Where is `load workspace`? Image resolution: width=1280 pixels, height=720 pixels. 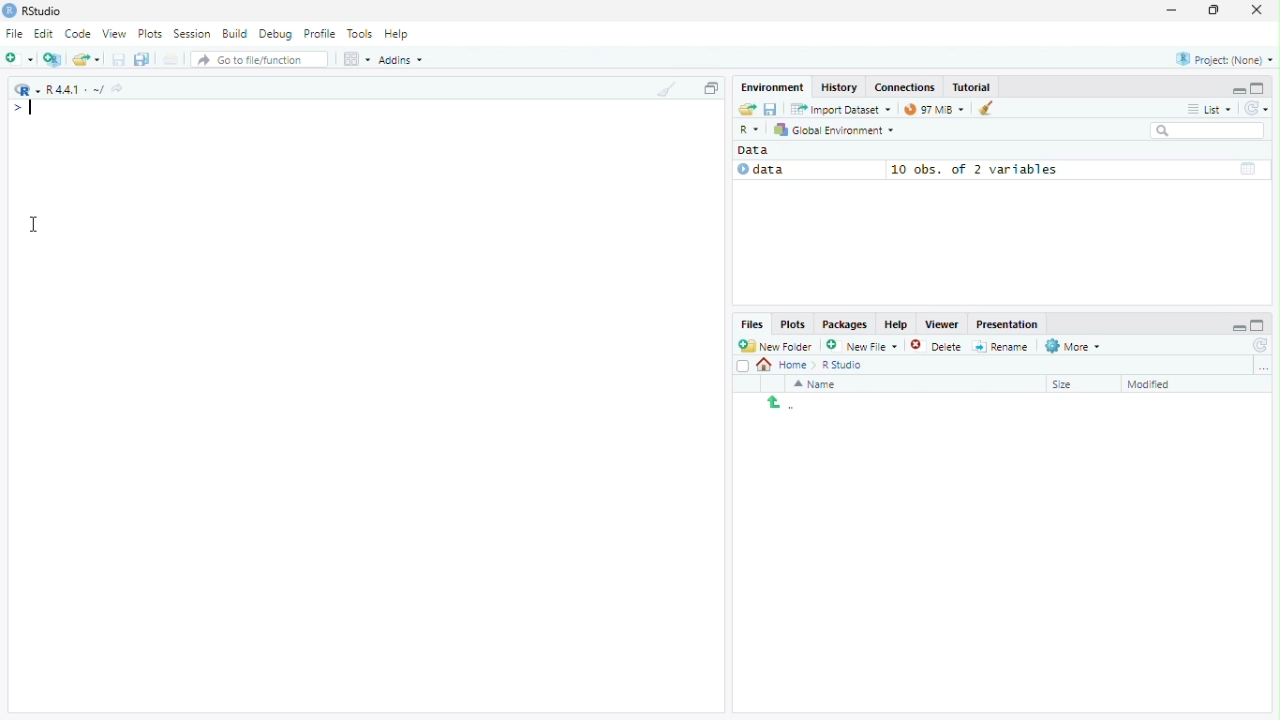 load workspace is located at coordinates (746, 110).